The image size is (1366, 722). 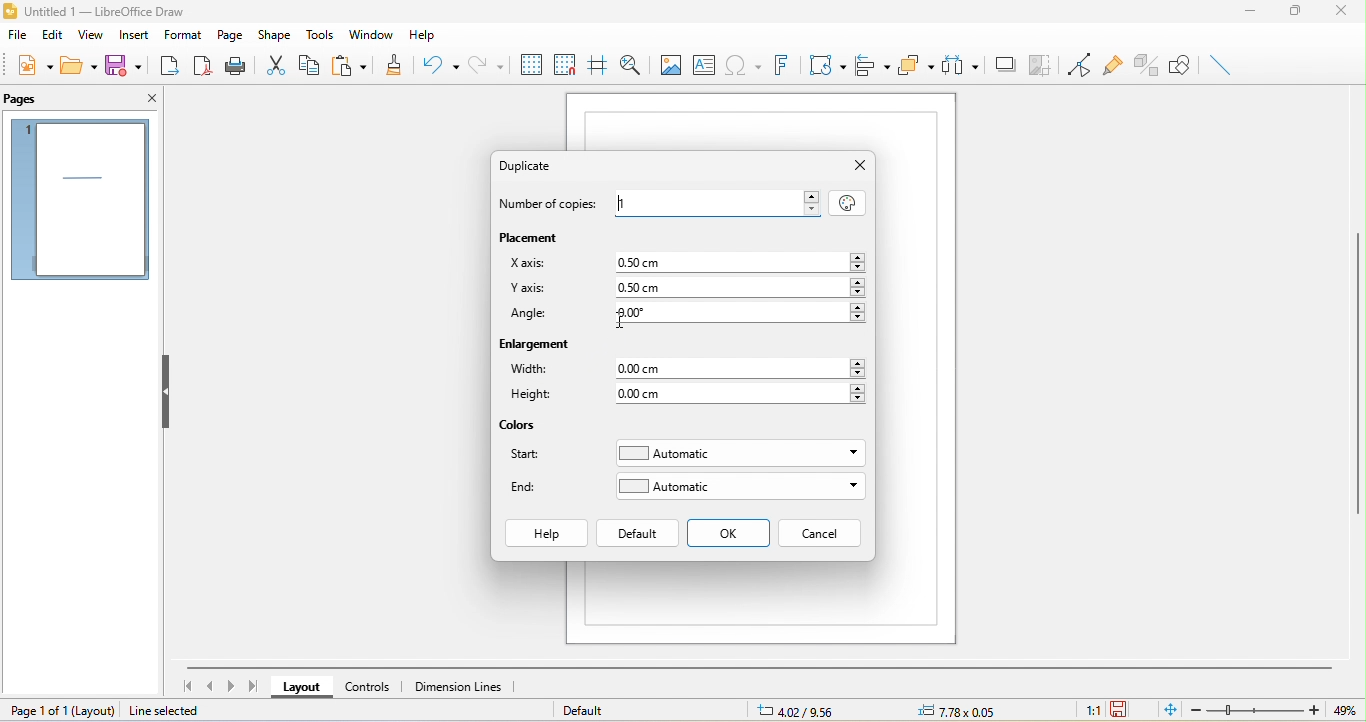 I want to click on insert line, so click(x=1221, y=65).